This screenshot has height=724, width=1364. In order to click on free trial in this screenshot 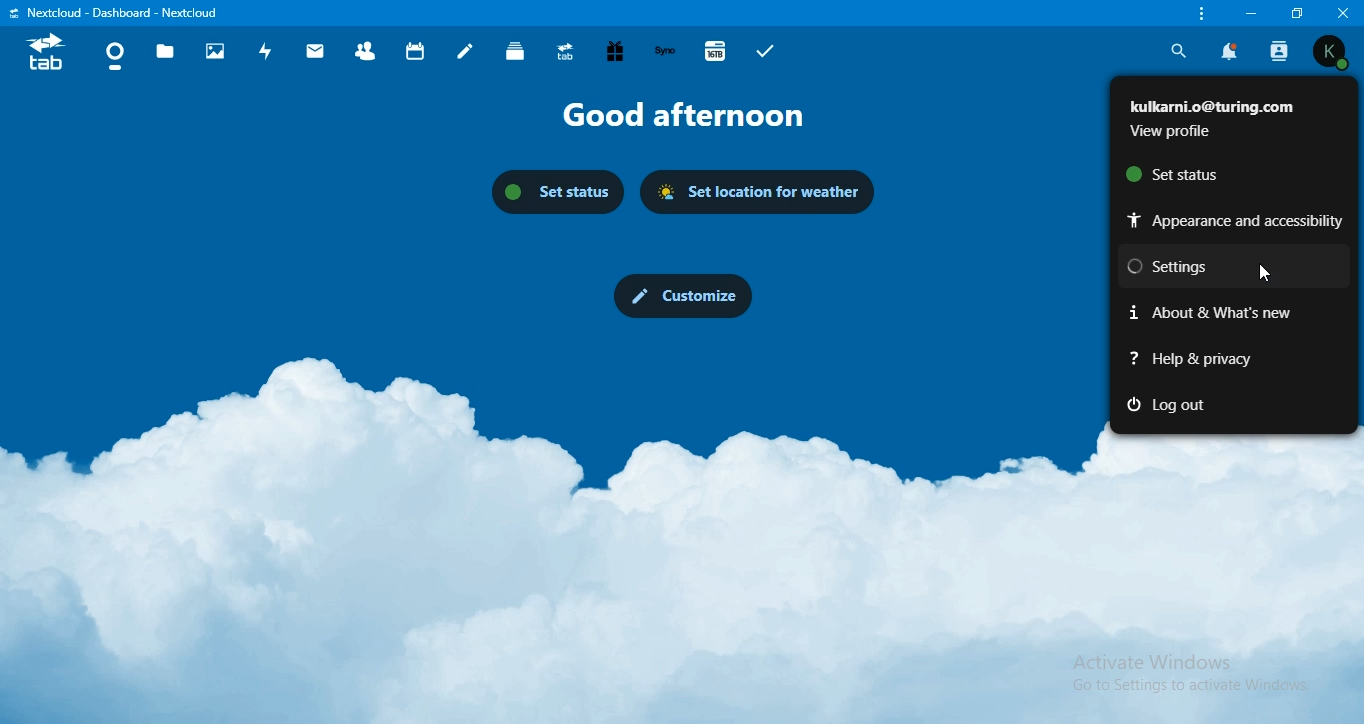, I will do `click(616, 52)`.